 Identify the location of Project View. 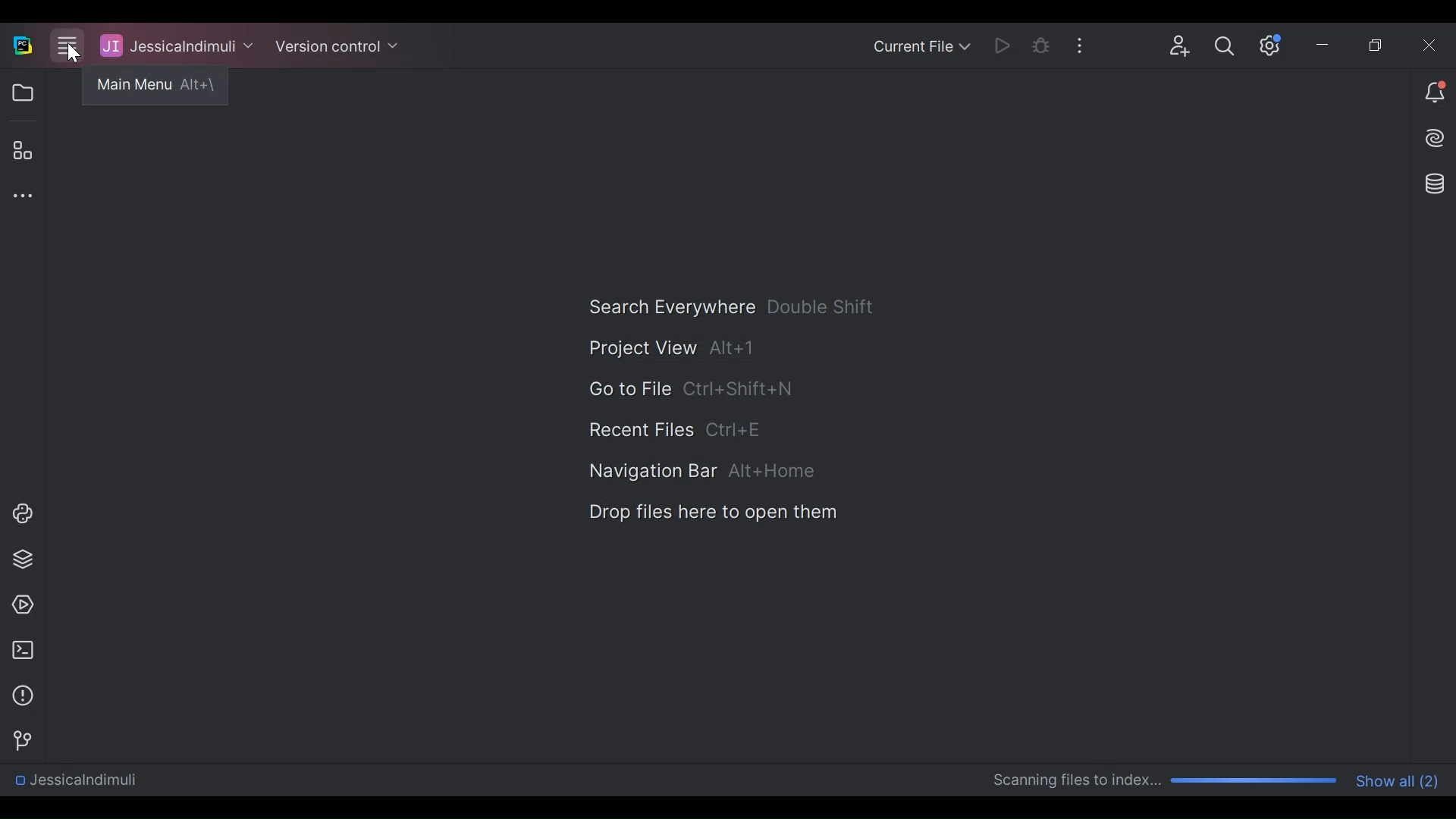
(673, 348).